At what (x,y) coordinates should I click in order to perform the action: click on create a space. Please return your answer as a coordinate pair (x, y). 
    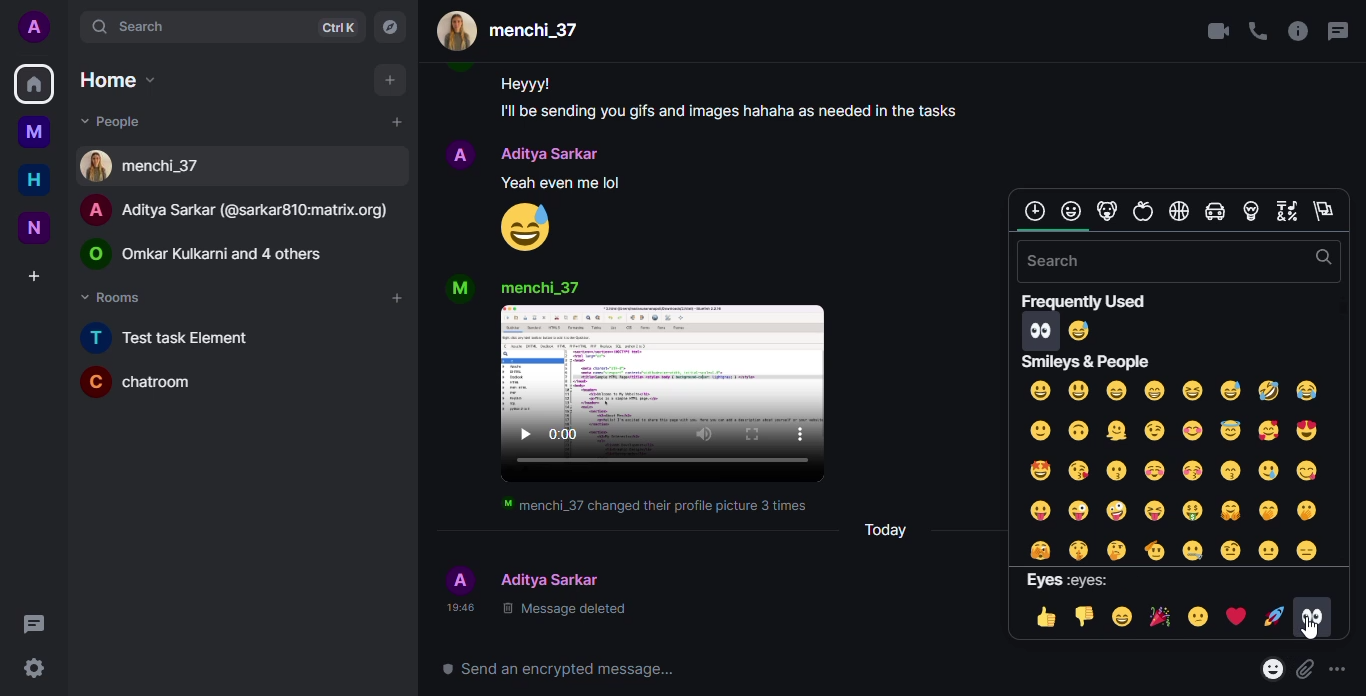
    Looking at the image, I should click on (35, 273).